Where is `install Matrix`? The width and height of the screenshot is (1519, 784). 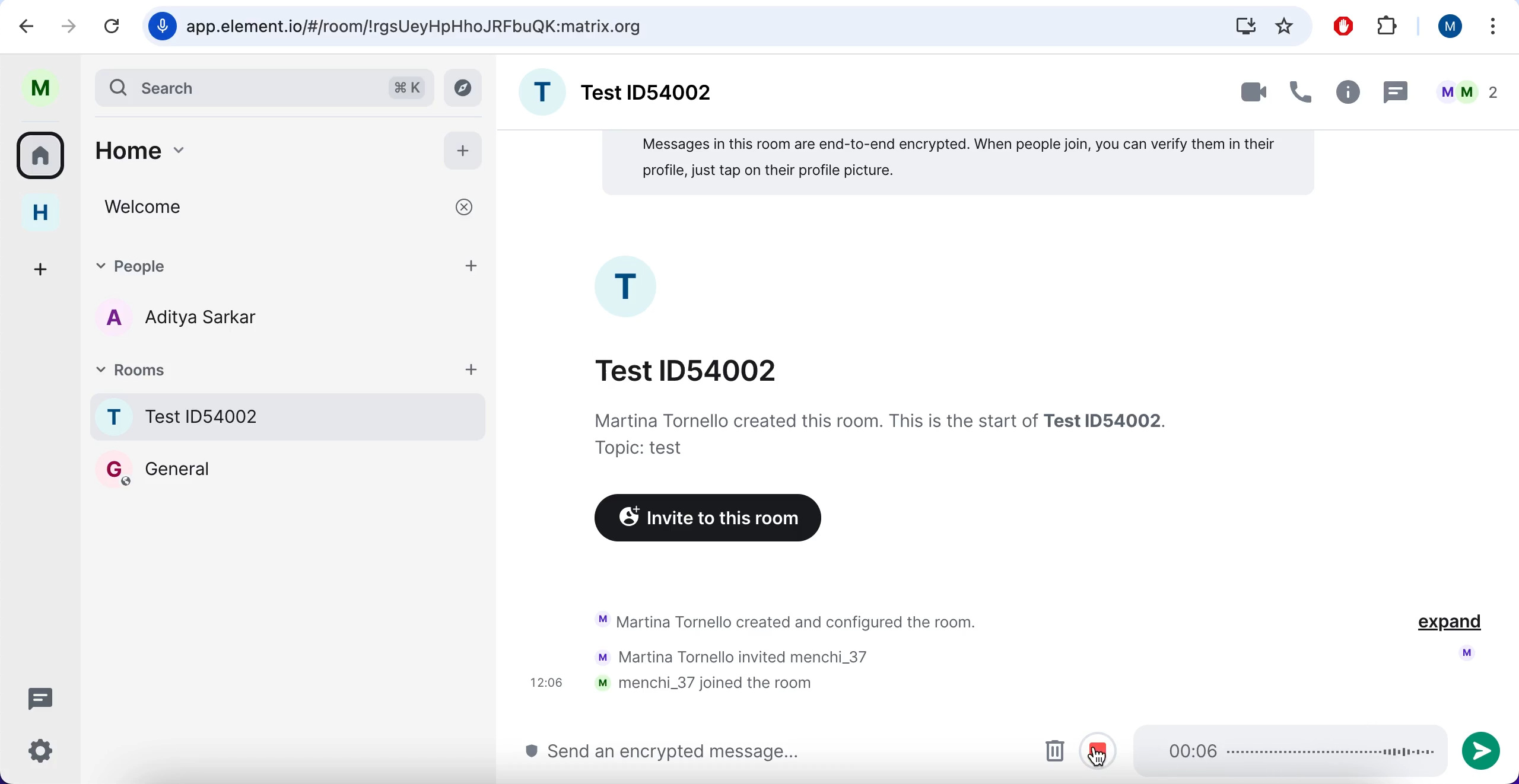 install Matrix is located at coordinates (1245, 26).